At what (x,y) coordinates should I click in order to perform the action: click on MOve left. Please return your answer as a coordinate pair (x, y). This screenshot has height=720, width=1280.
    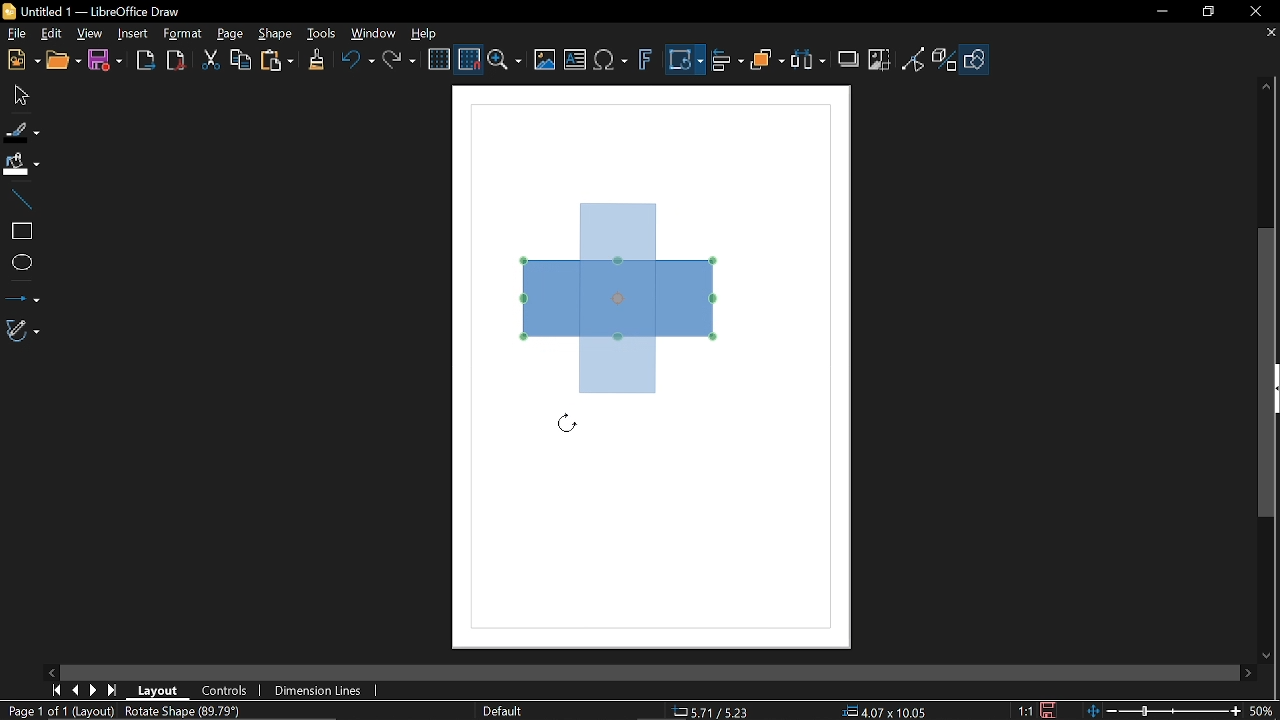
    Looking at the image, I should click on (52, 671).